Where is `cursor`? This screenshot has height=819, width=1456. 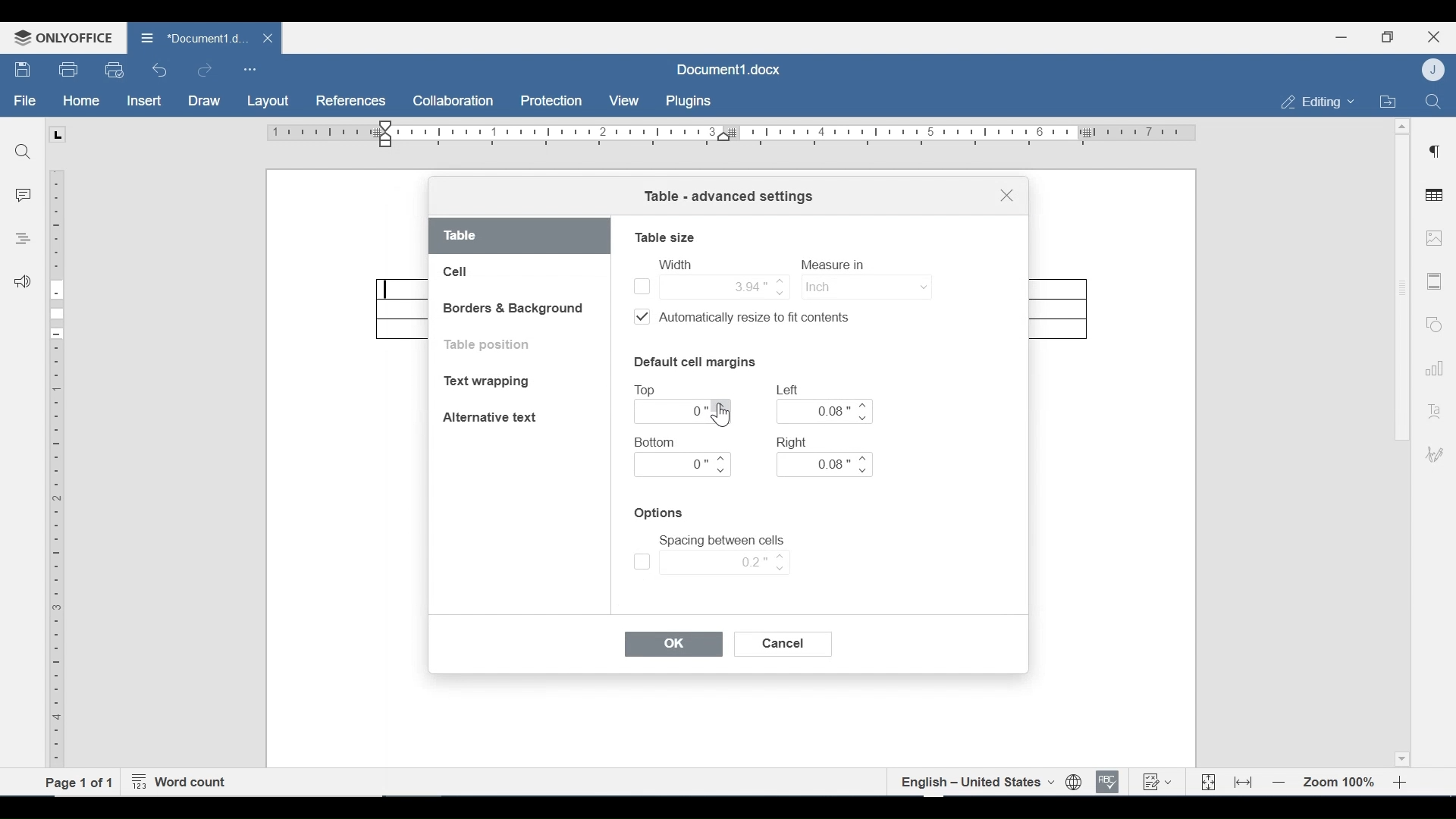 cursor is located at coordinates (722, 418).